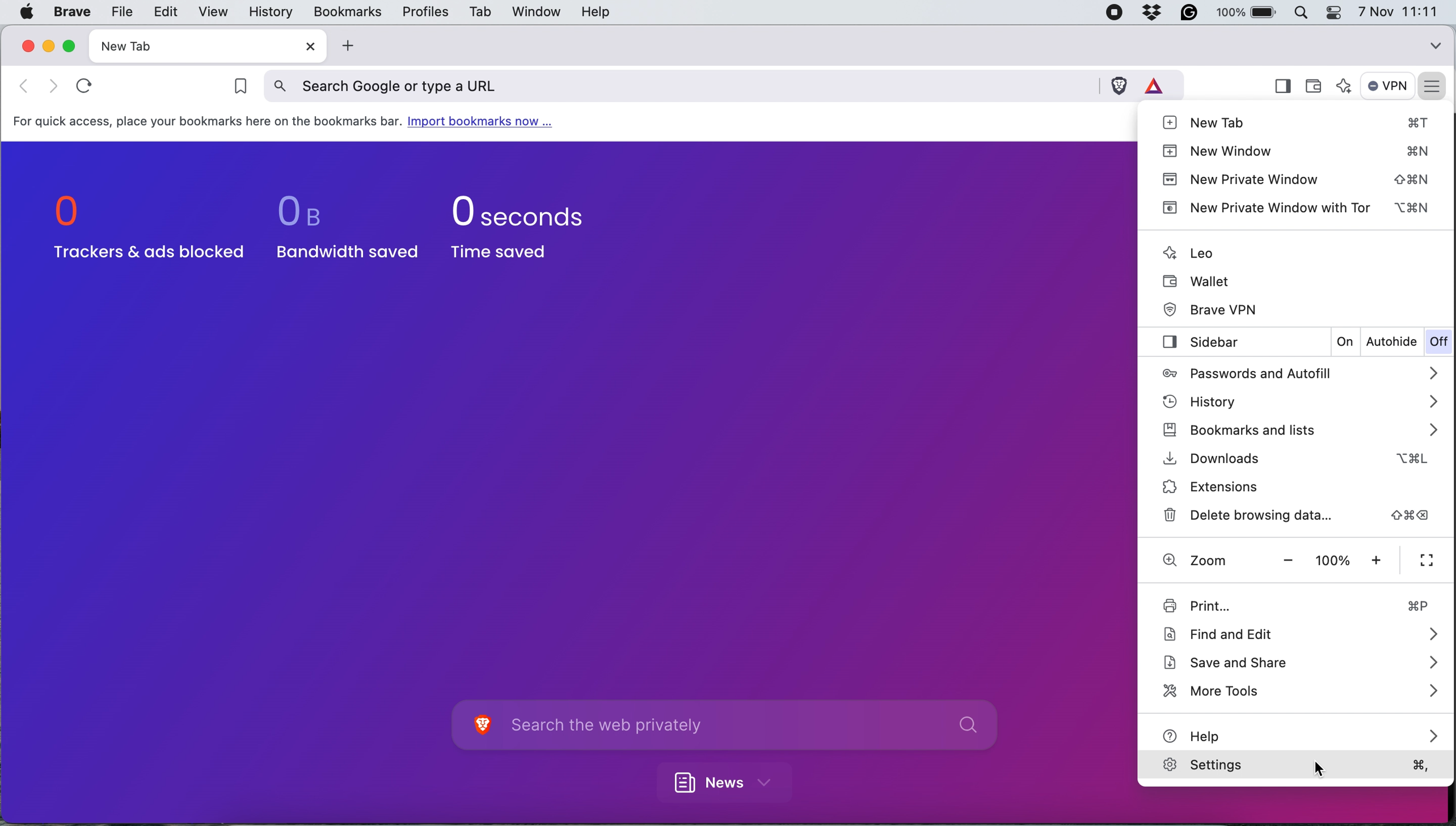 The height and width of the screenshot is (826, 1456). I want to click on Make text smaller, so click(1289, 560).